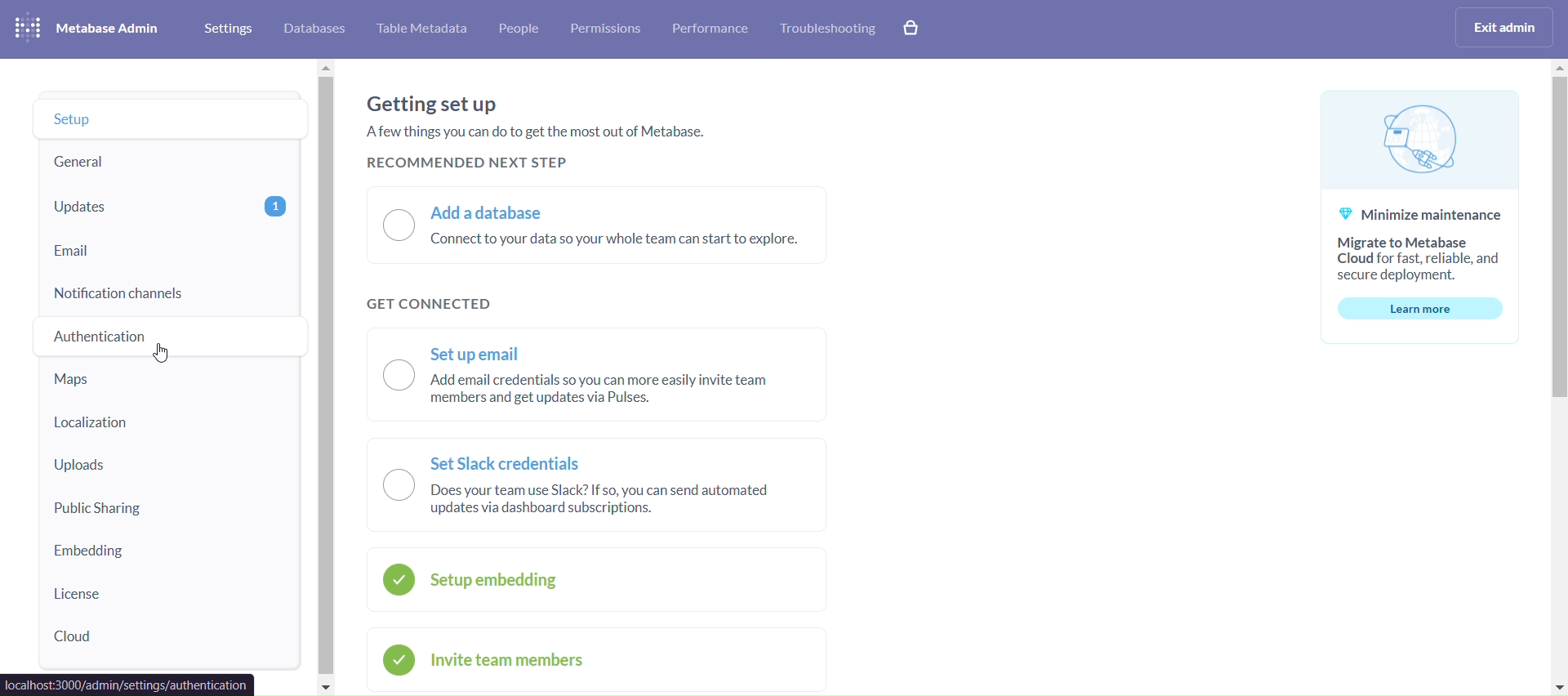  I want to click on embedding, so click(167, 553).